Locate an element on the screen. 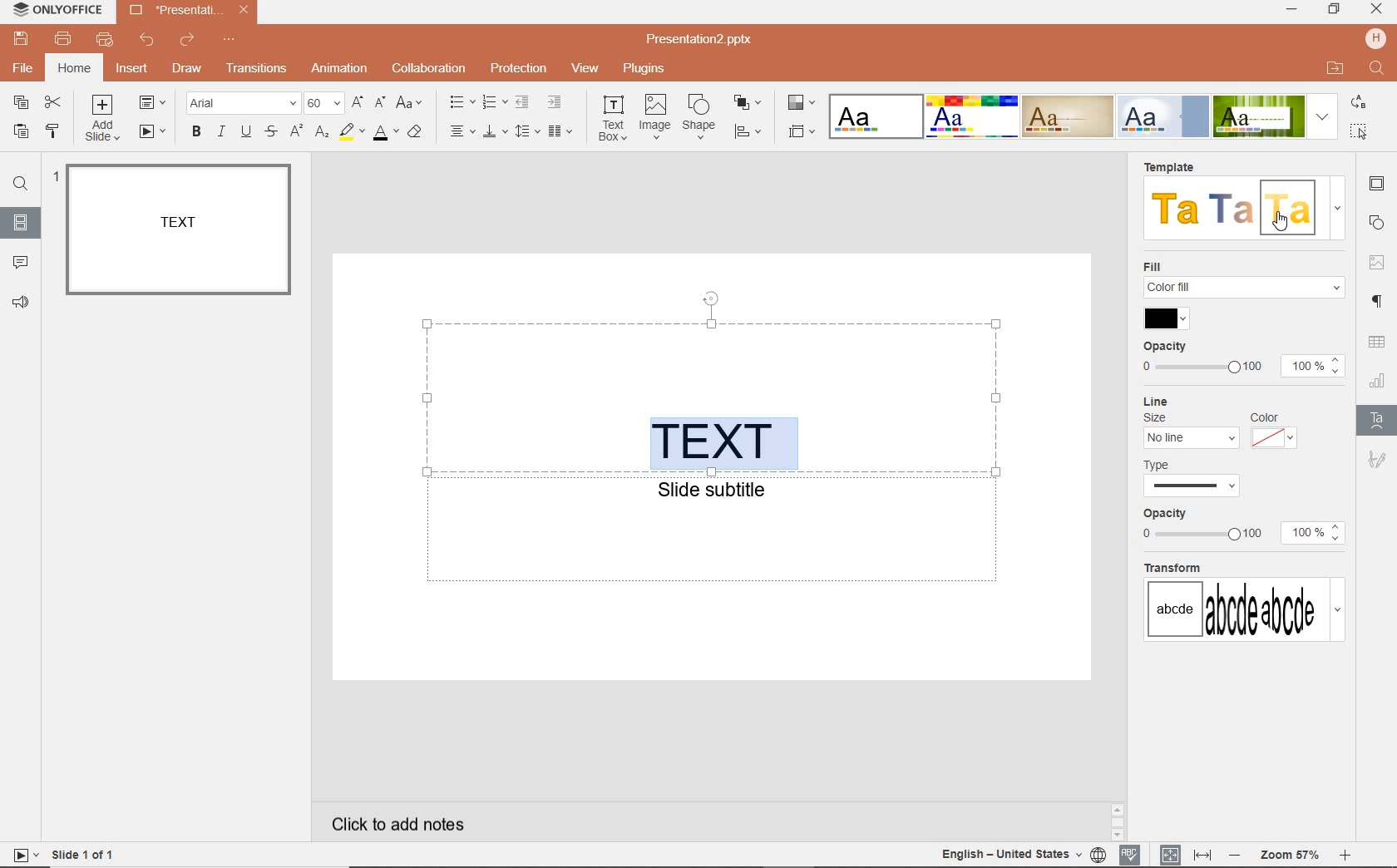 Image resolution: width=1397 pixels, height=868 pixels. COPY STYLE is located at coordinates (52, 131).